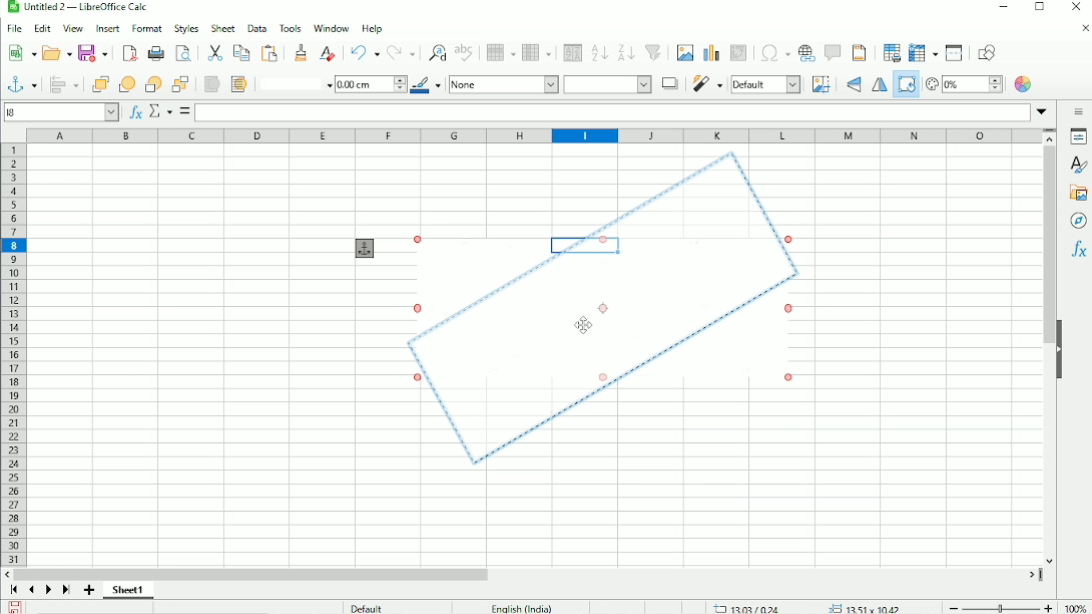 The width and height of the screenshot is (1092, 614). Describe the element at coordinates (96, 84) in the screenshot. I see `Bring to front` at that location.